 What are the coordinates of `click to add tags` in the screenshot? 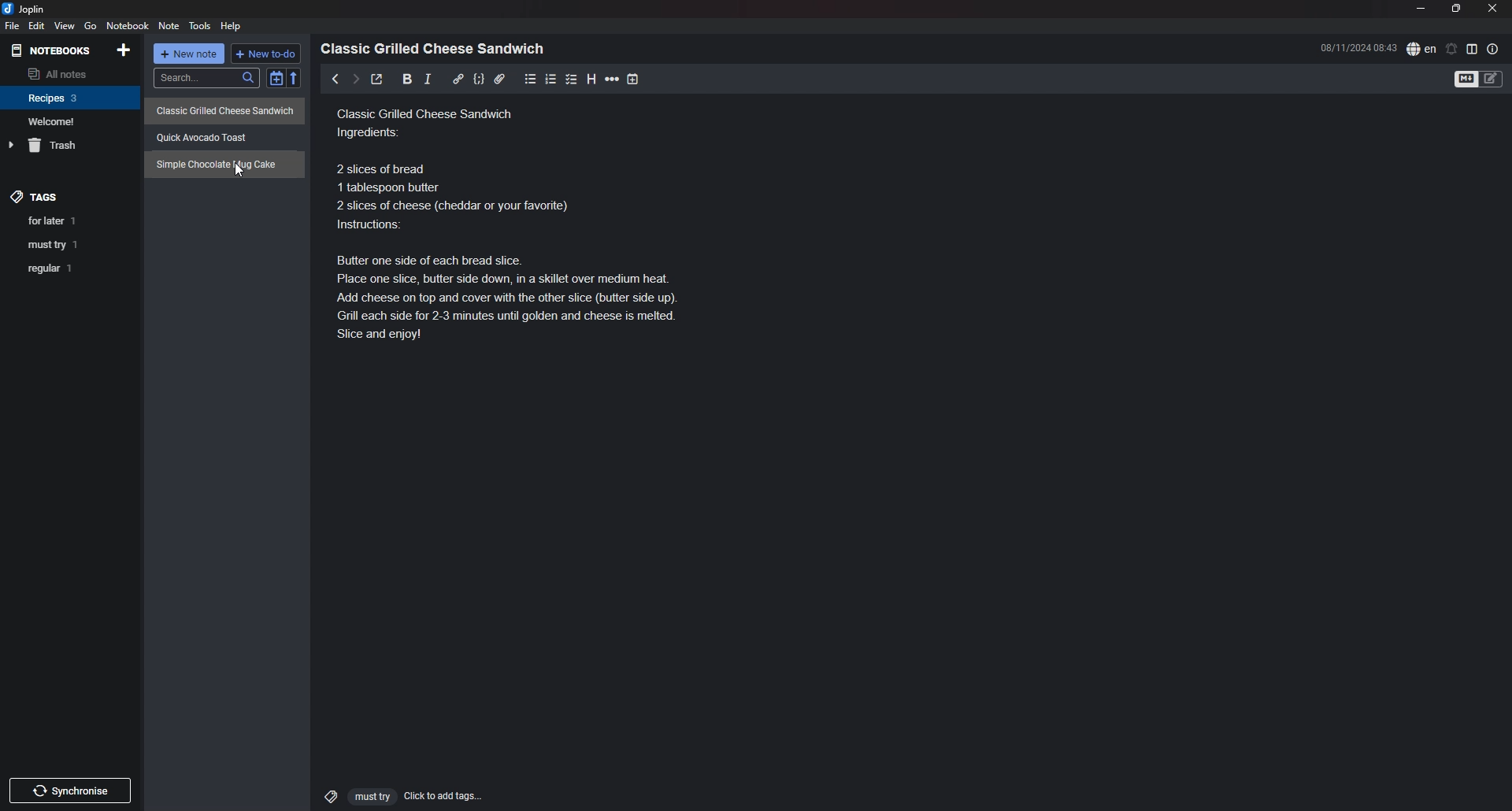 It's located at (396, 795).